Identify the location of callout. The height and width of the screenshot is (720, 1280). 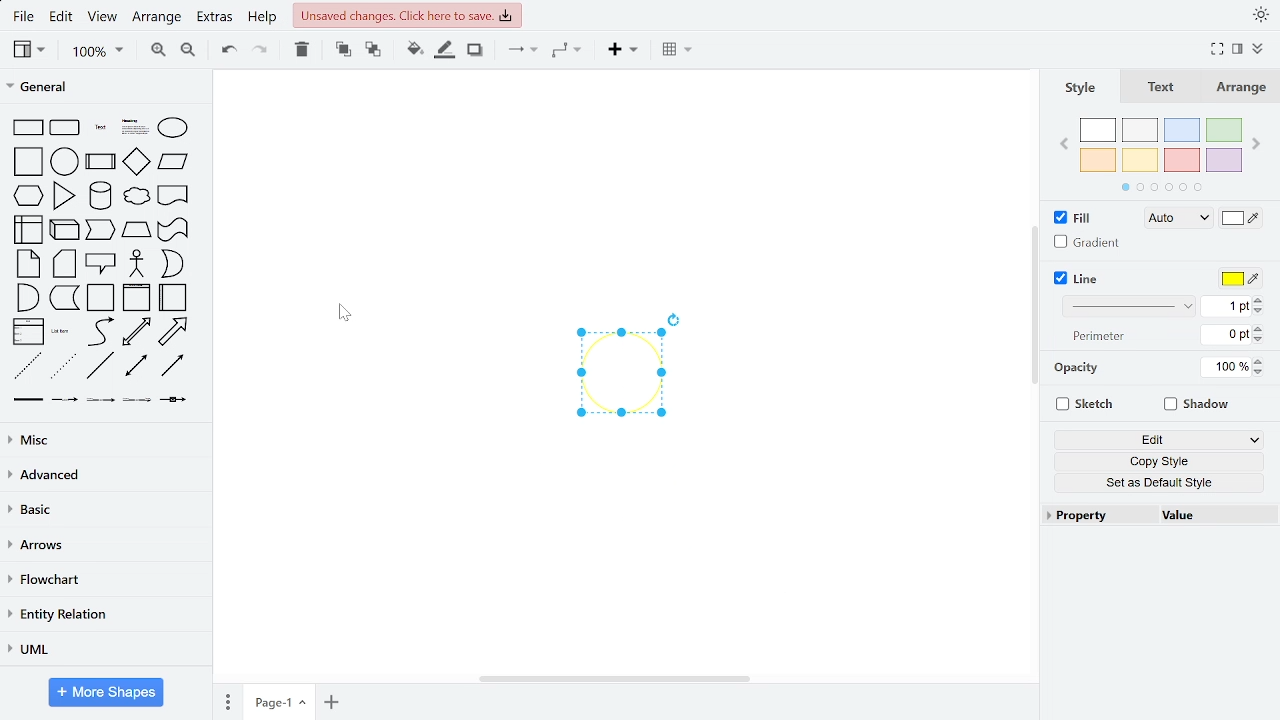
(101, 264).